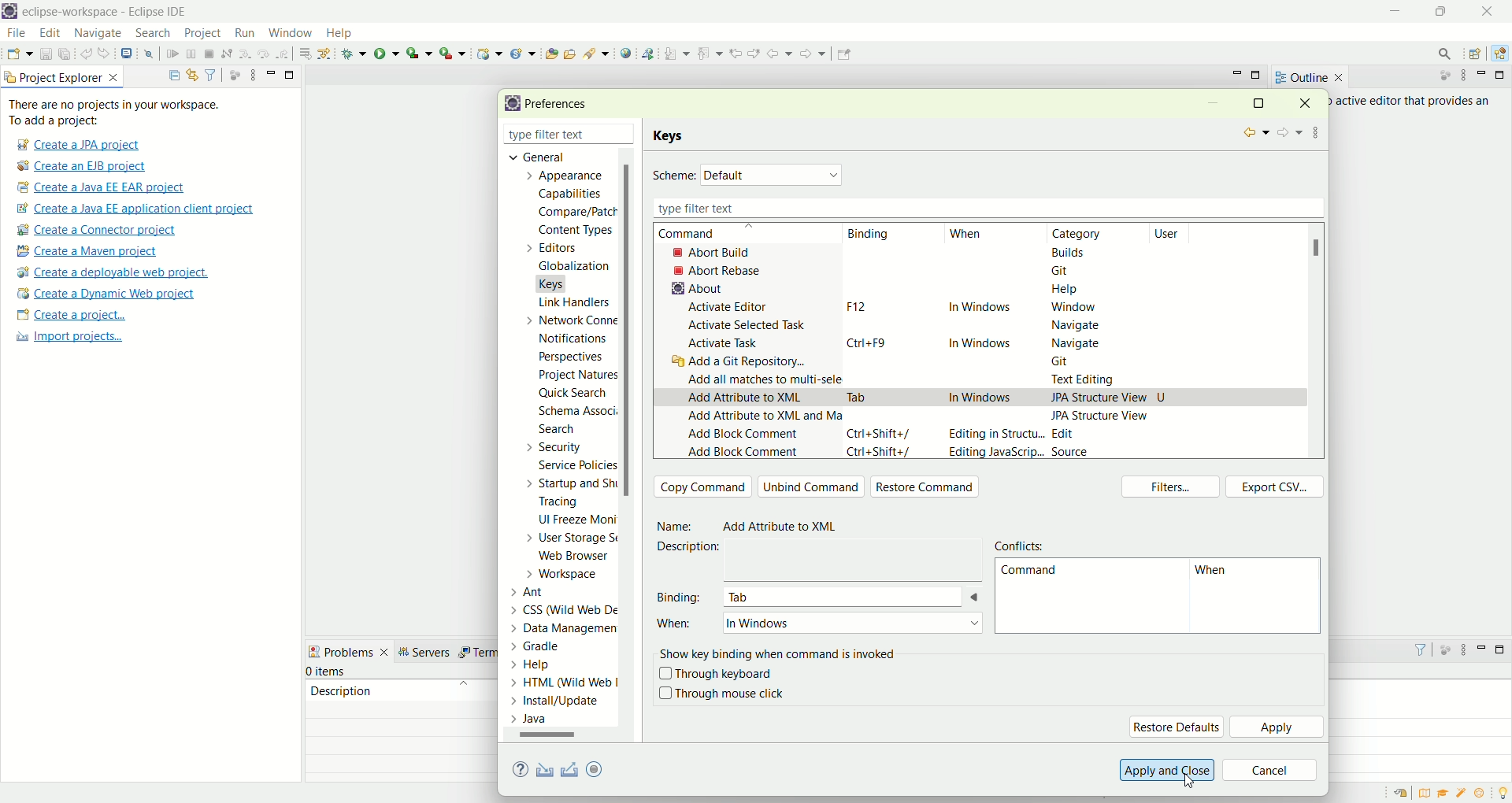 Image resolution: width=1512 pixels, height=803 pixels. What do you see at coordinates (1397, 12) in the screenshot?
I see `minimize` at bounding box center [1397, 12].